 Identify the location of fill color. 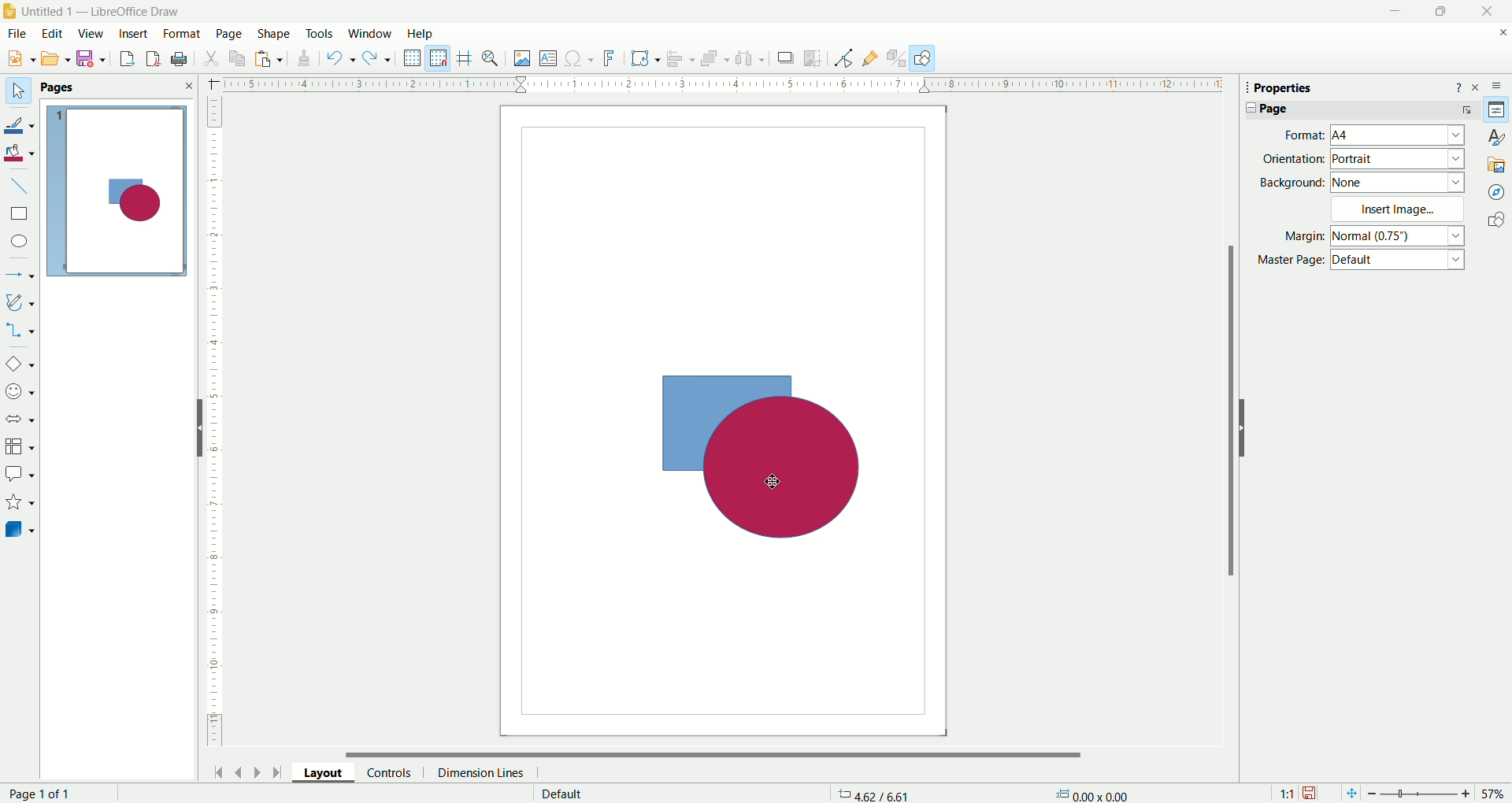
(22, 152).